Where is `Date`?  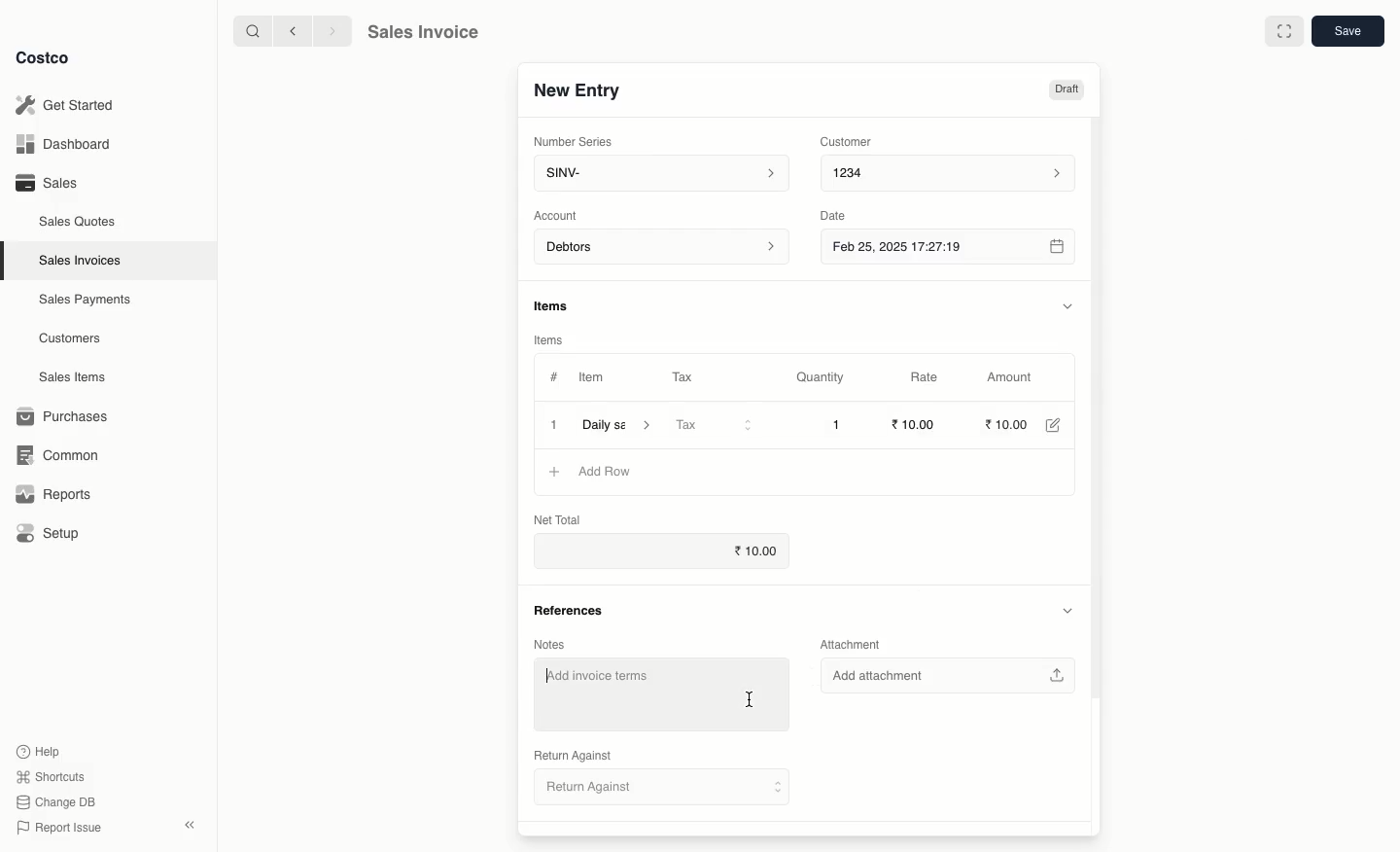 Date is located at coordinates (842, 218).